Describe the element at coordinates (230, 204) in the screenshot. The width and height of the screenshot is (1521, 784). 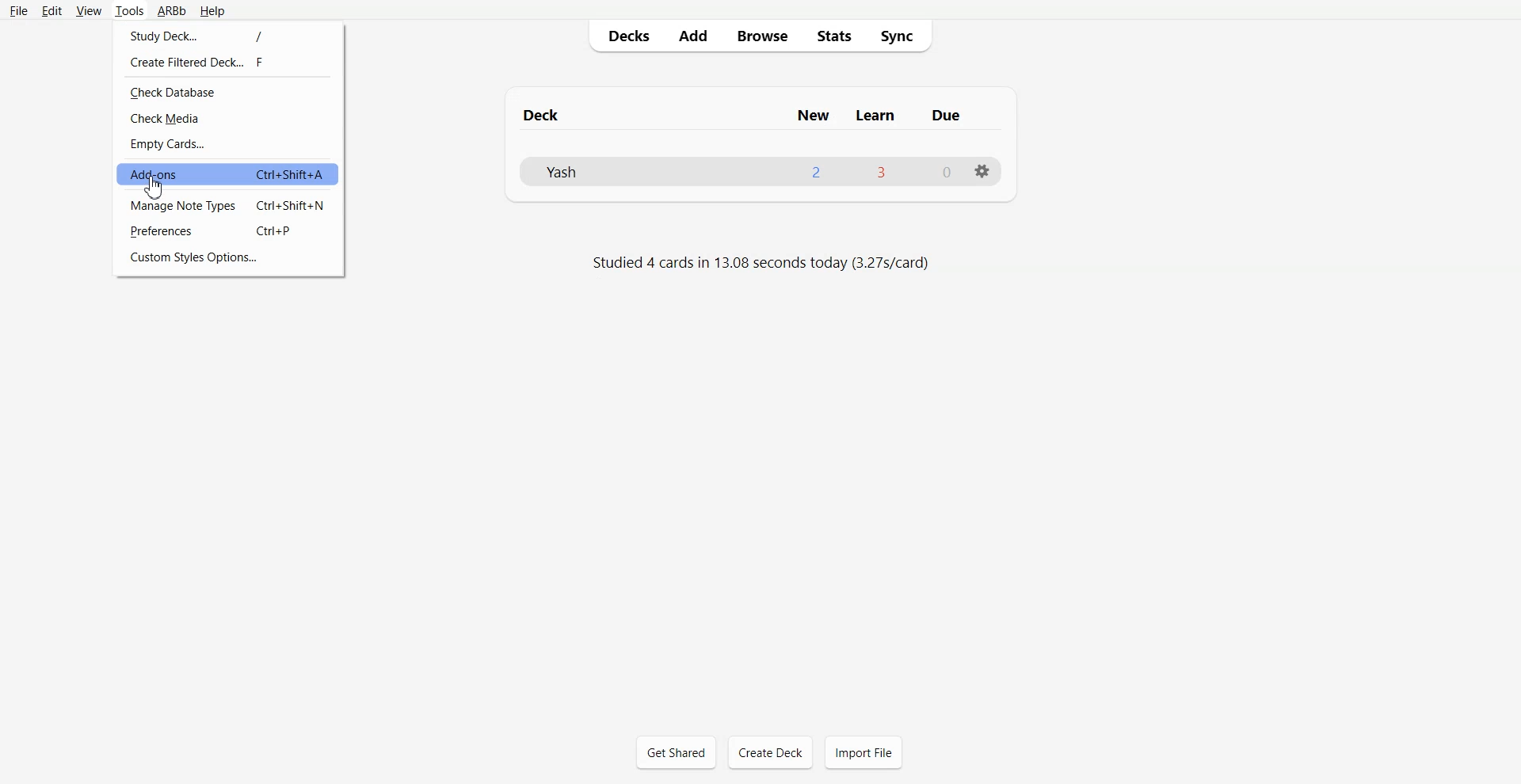
I see `Manage Note Types` at that location.